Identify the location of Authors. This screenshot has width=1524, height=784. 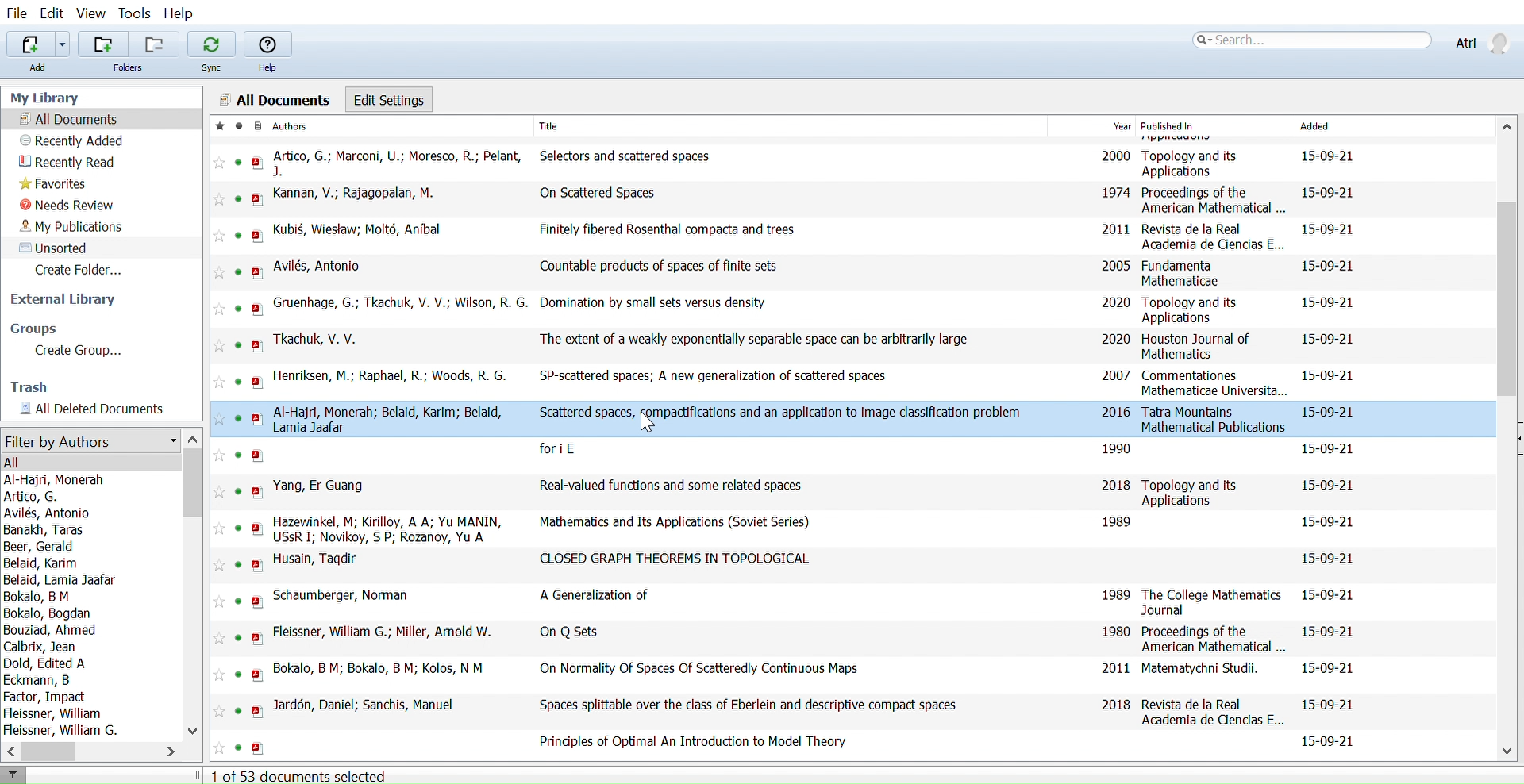
(358, 126).